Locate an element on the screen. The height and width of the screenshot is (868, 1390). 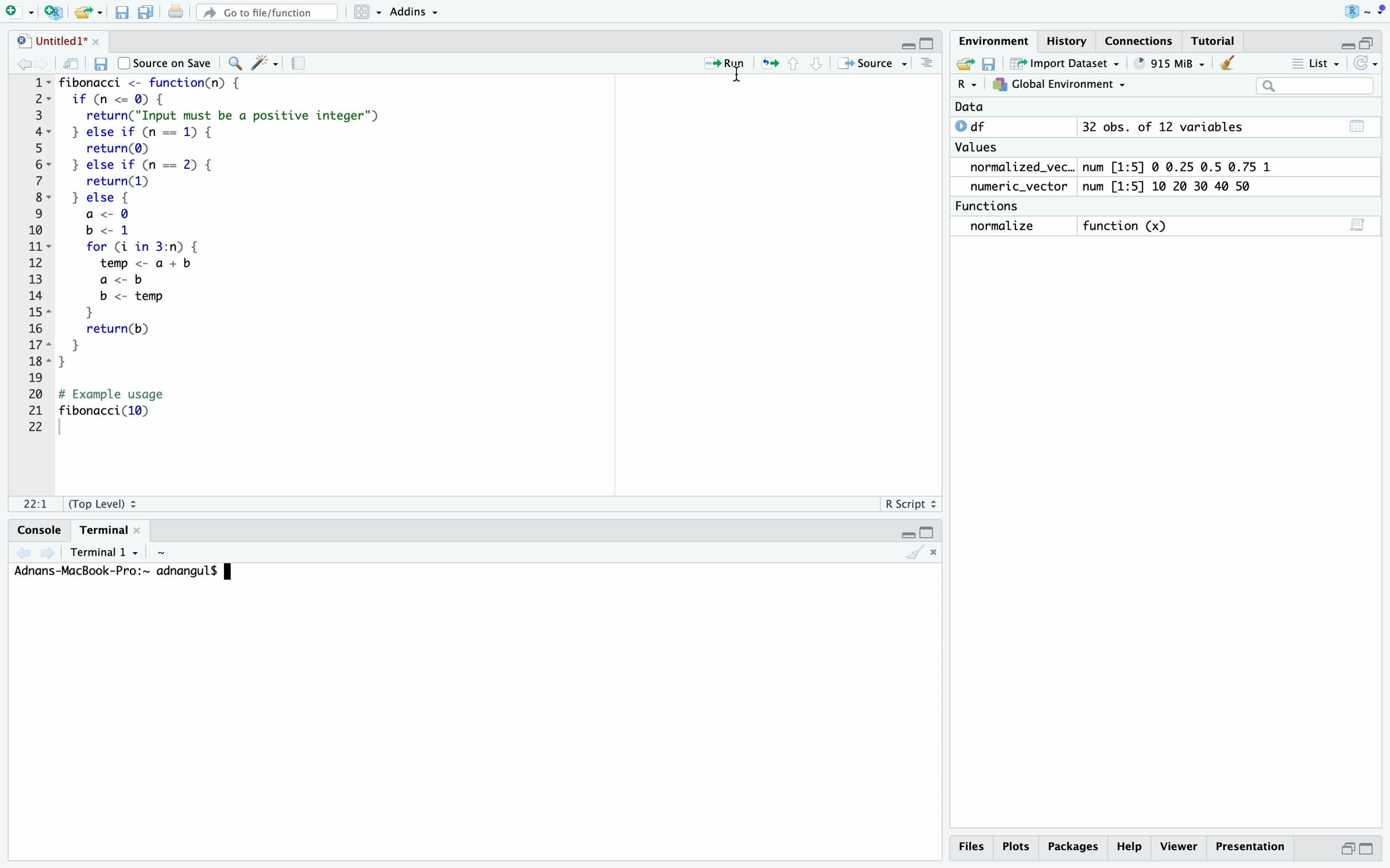
viewer is located at coordinates (1179, 846).